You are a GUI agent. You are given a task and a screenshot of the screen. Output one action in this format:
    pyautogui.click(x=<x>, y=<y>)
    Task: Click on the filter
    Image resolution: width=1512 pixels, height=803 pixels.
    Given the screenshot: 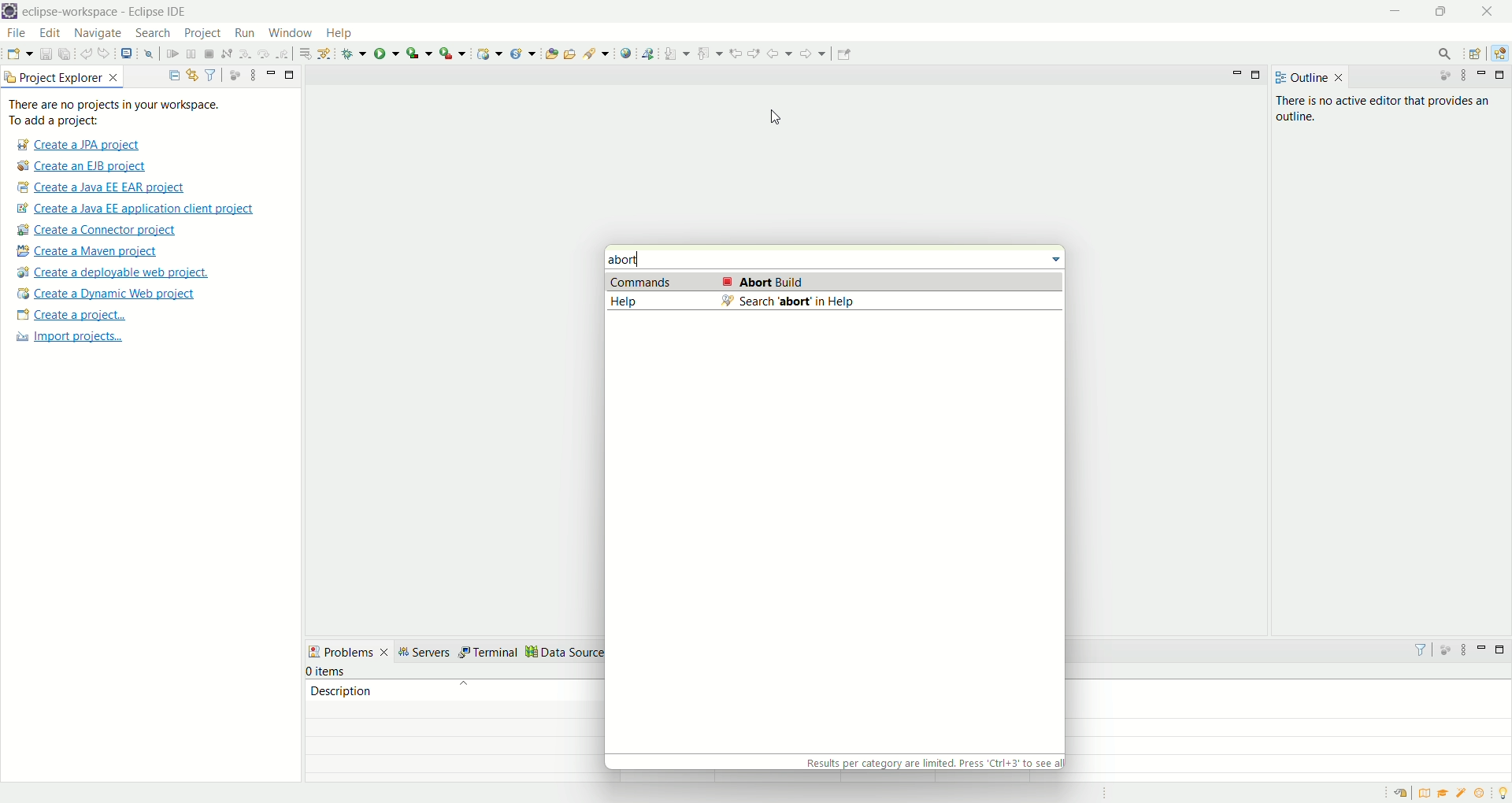 What is the action you would take?
    pyautogui.click(x=209, y=73)
    